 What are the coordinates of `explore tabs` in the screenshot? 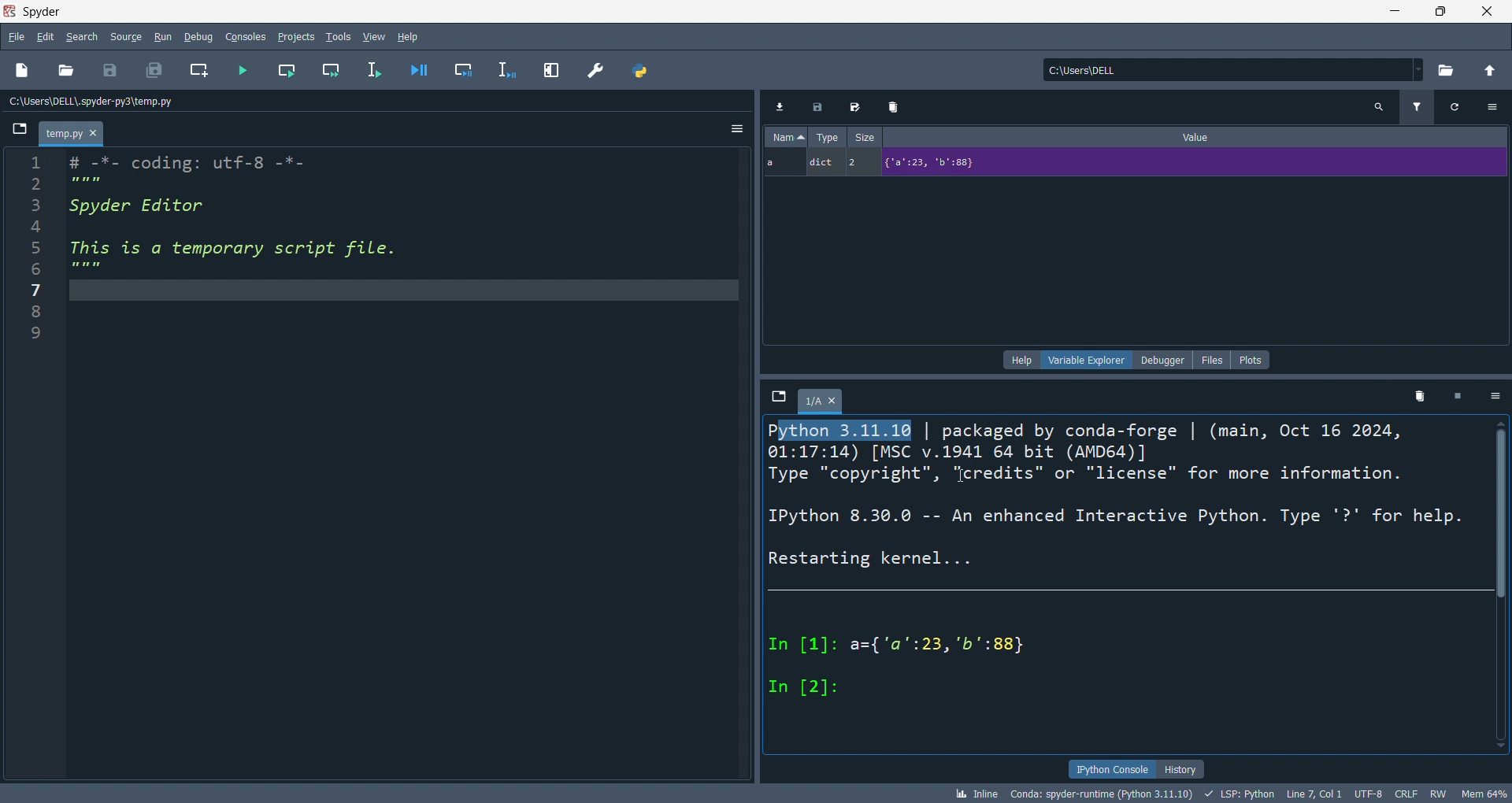 It's located at (779, 398).